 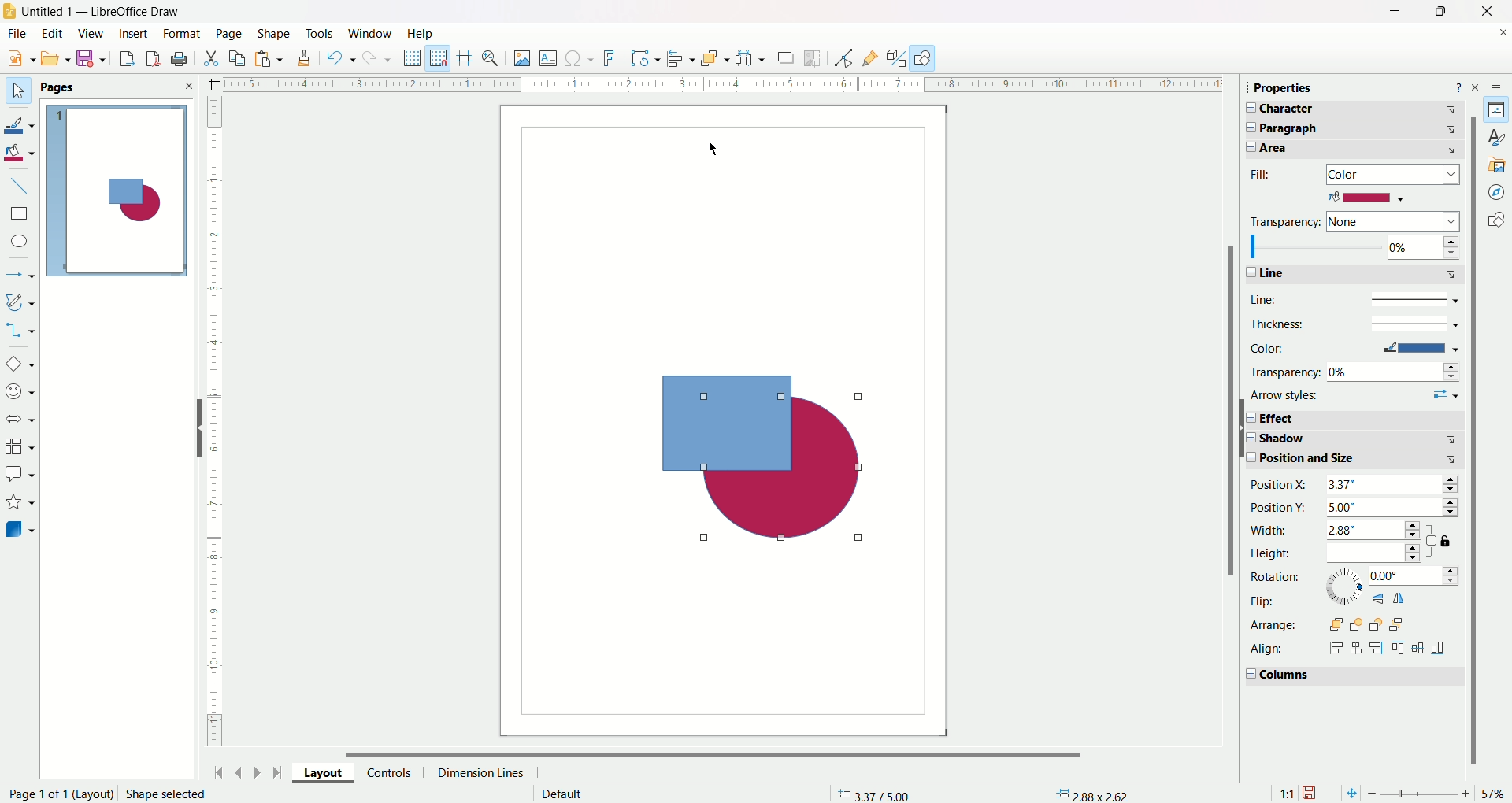 I want to click on gluepoint, so click(x=868, y=57).